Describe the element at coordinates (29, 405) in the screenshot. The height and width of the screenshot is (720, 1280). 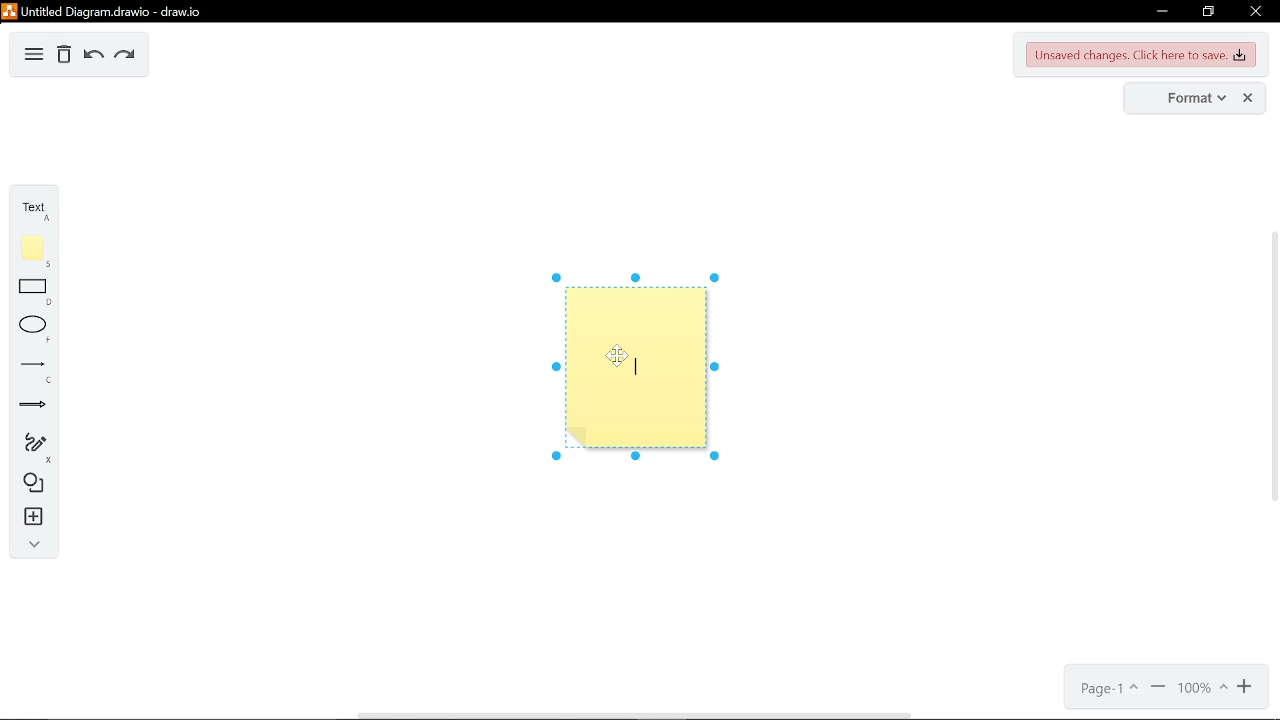
I see `arrows` at that location.